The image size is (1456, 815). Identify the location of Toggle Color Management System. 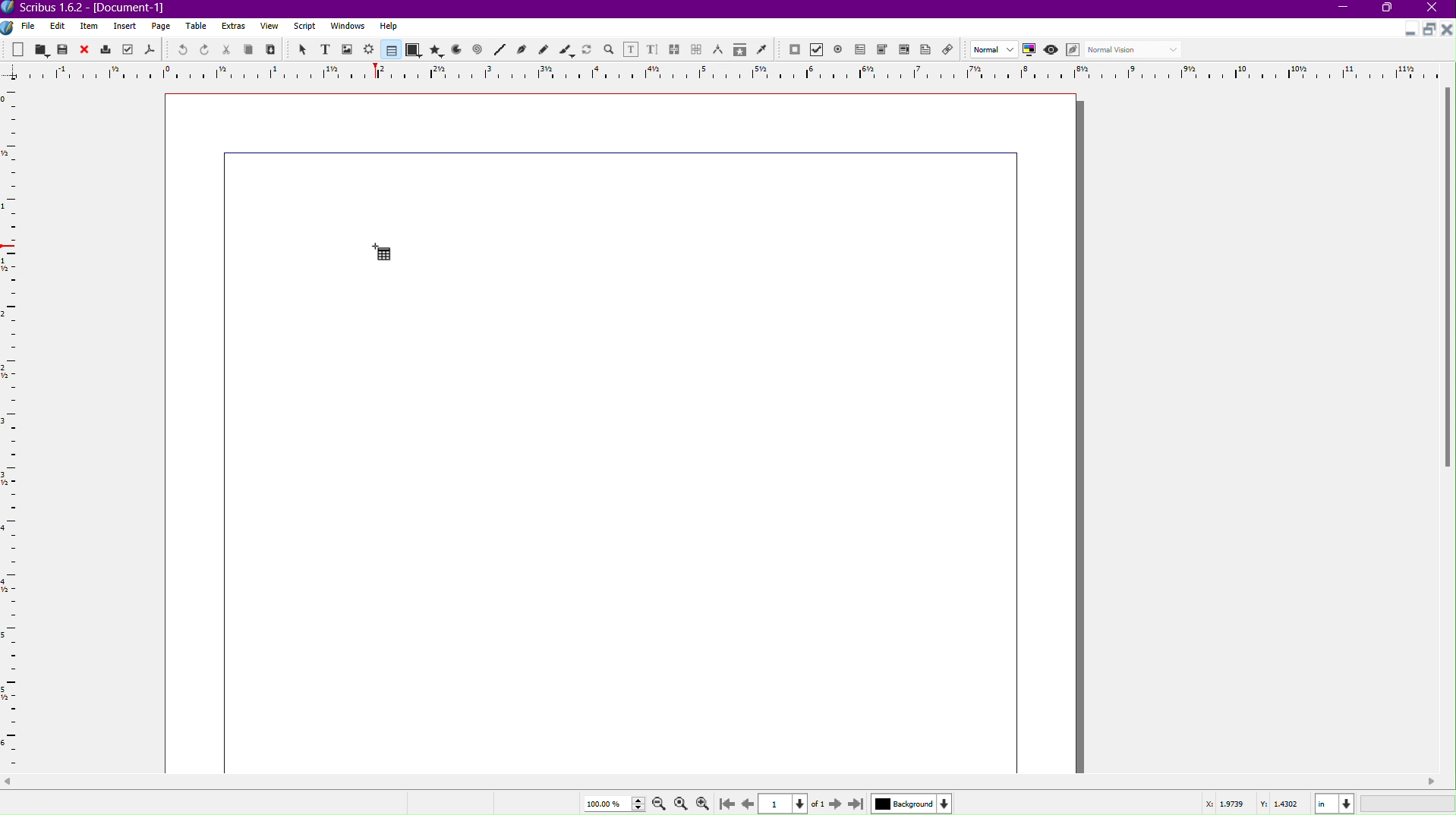
(1032, 52).